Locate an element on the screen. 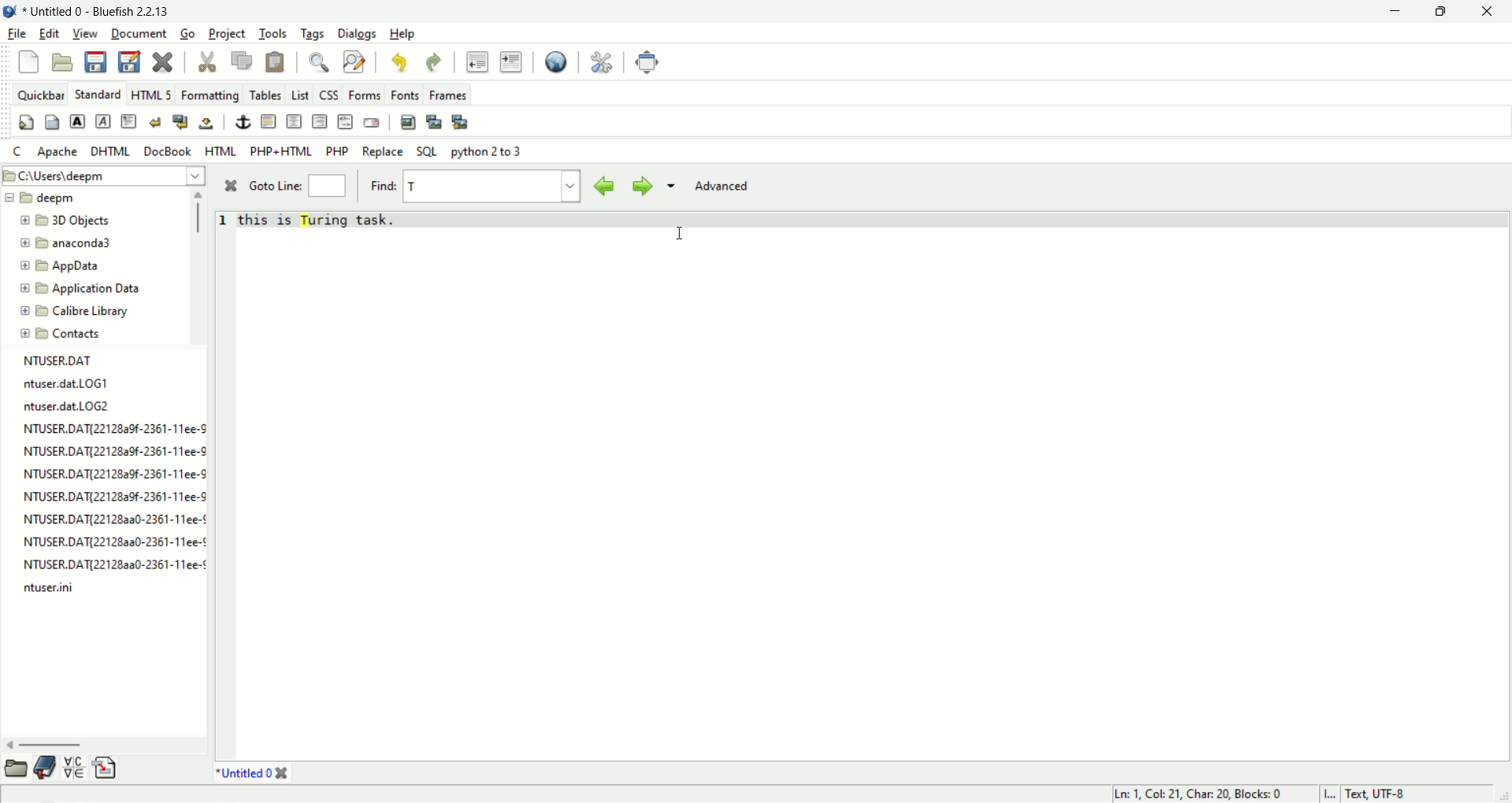 This screenshot has height=803, width=1512. snippets is located at coordinates (106, 771).